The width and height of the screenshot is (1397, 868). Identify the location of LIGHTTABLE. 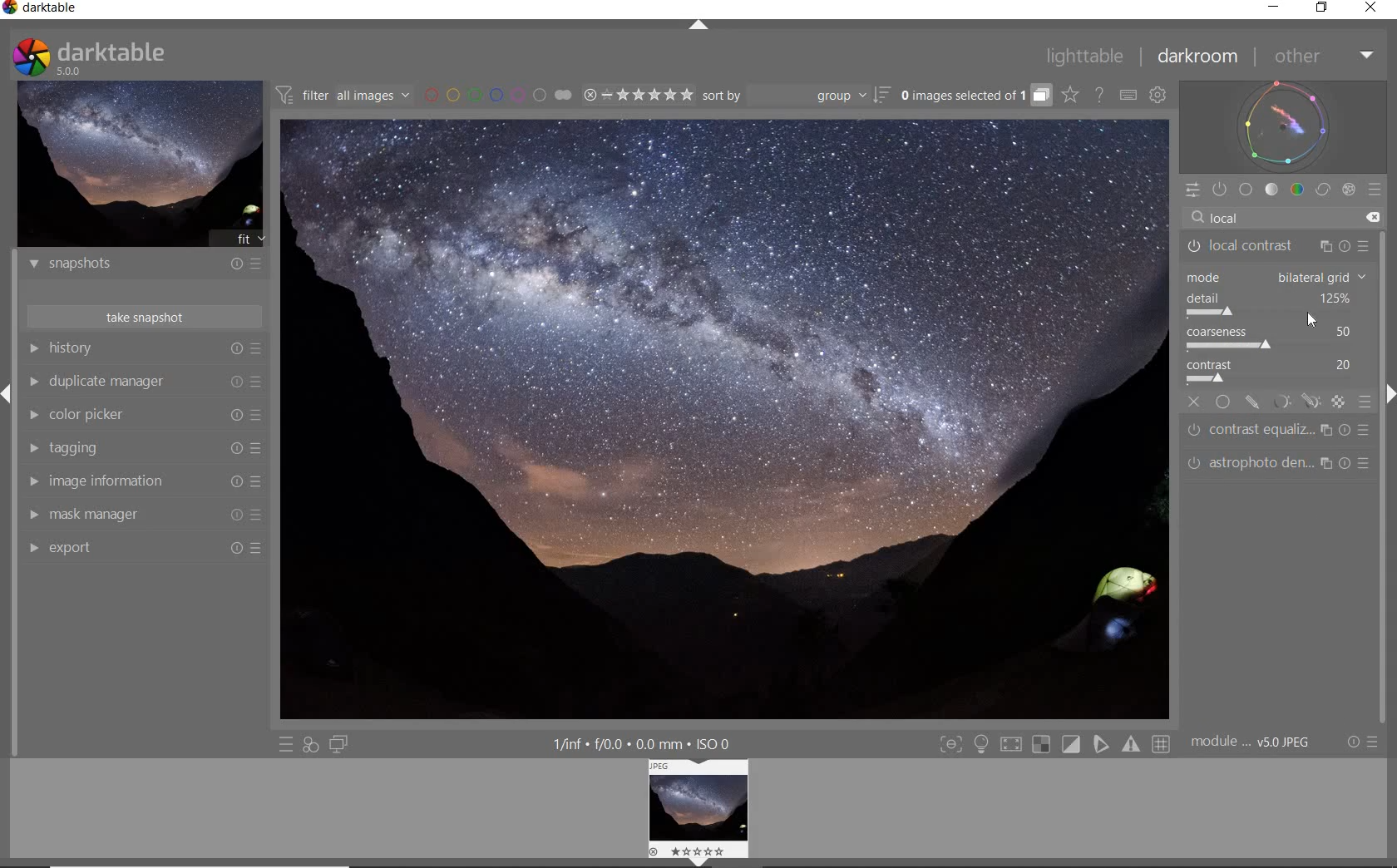
(1097, 55).